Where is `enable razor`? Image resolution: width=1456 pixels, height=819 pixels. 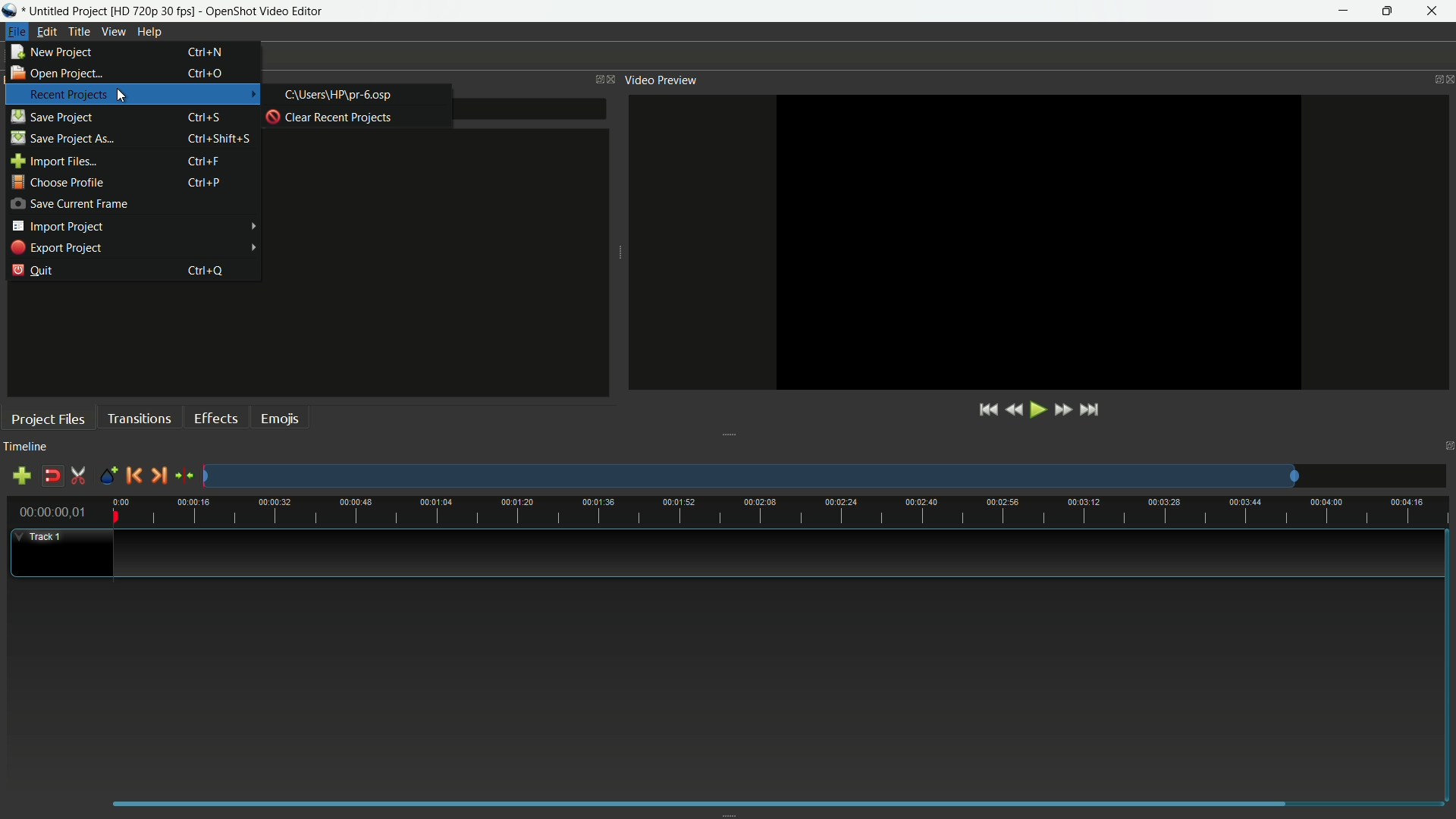 enable razor is located at coordinates (78, 475).